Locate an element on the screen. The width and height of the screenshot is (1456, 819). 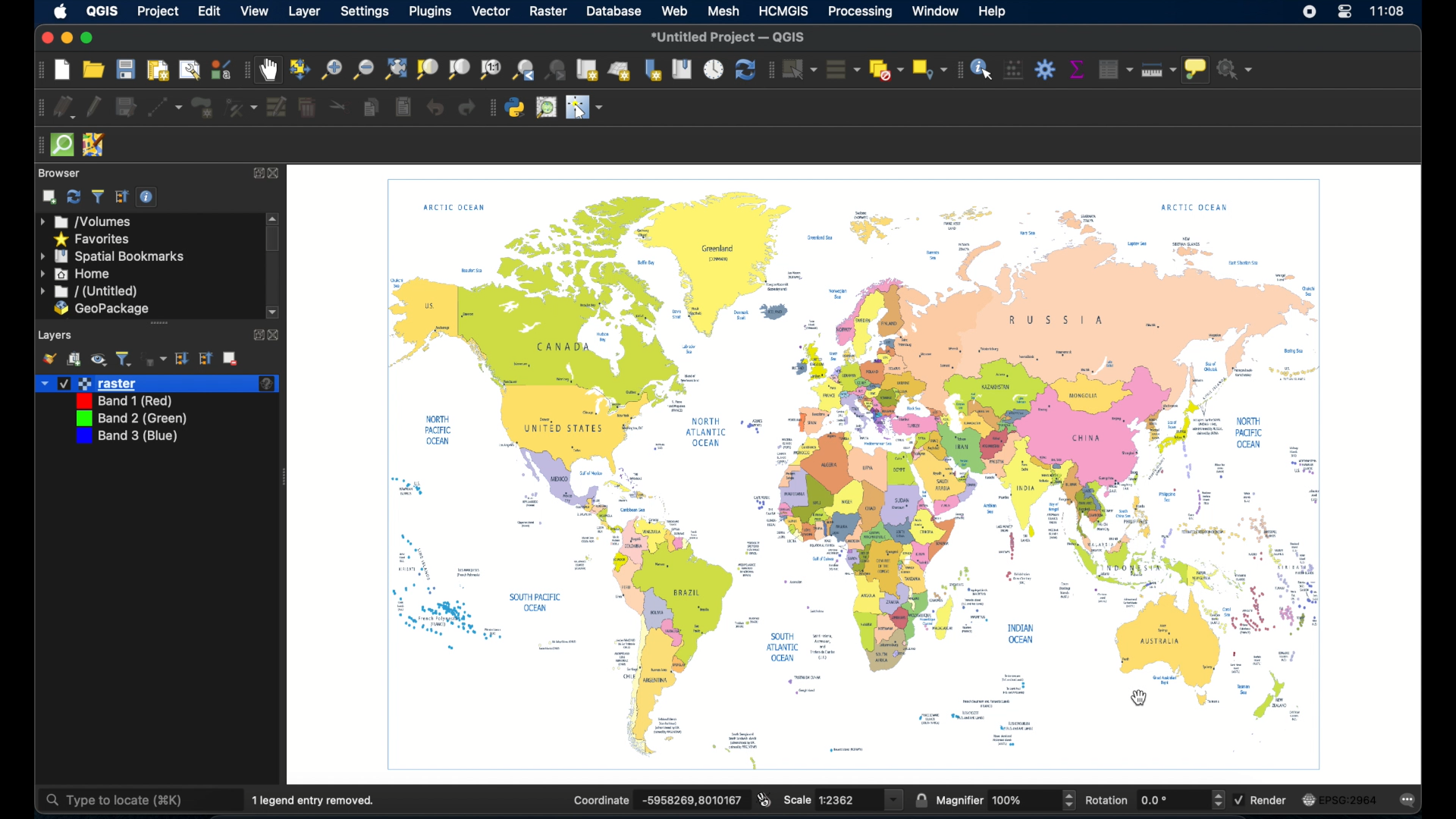
raster is located at coordinates (548, 12).